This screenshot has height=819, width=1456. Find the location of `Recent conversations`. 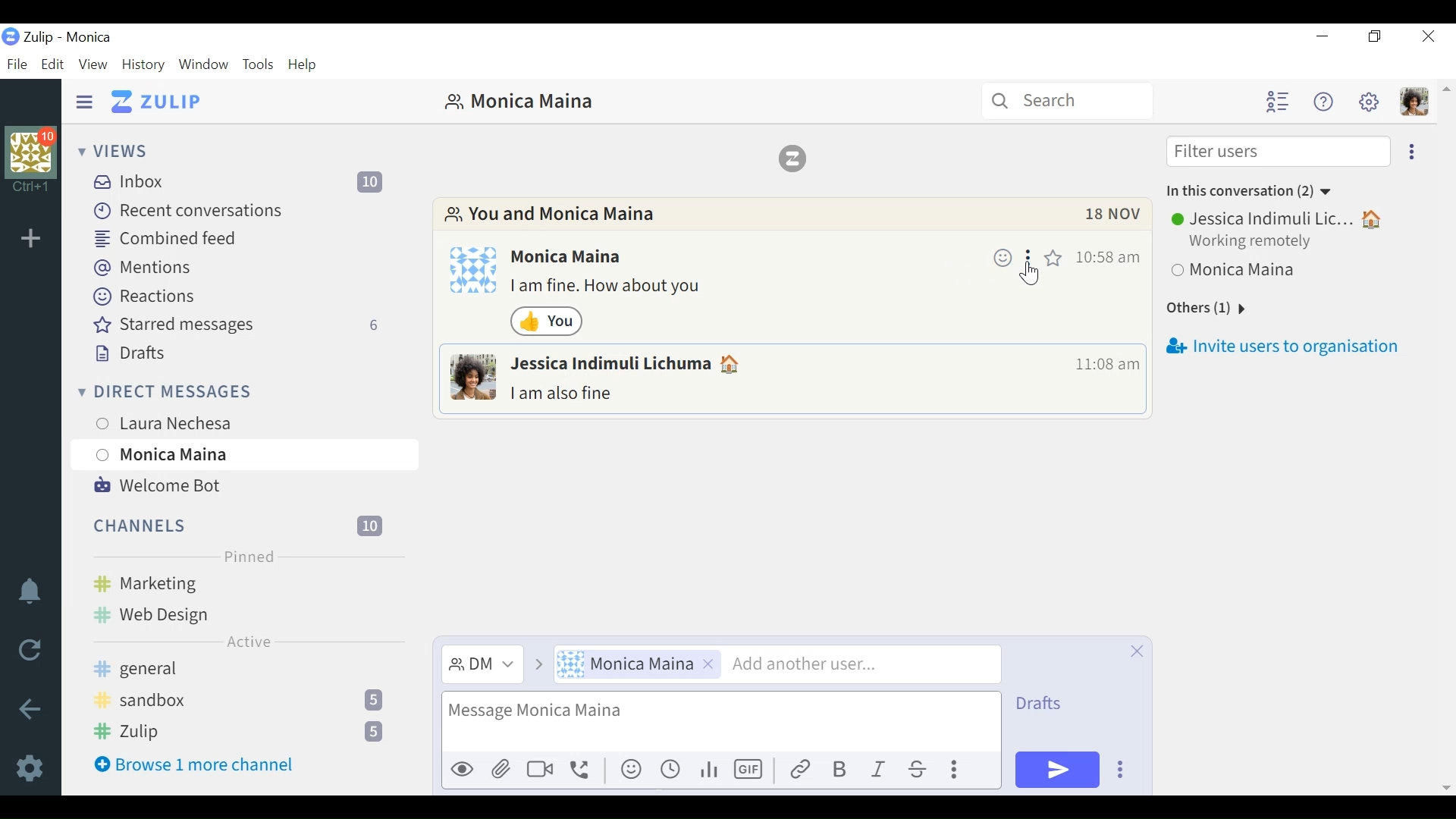

Recent conversations is located at coordinates (190, 209).